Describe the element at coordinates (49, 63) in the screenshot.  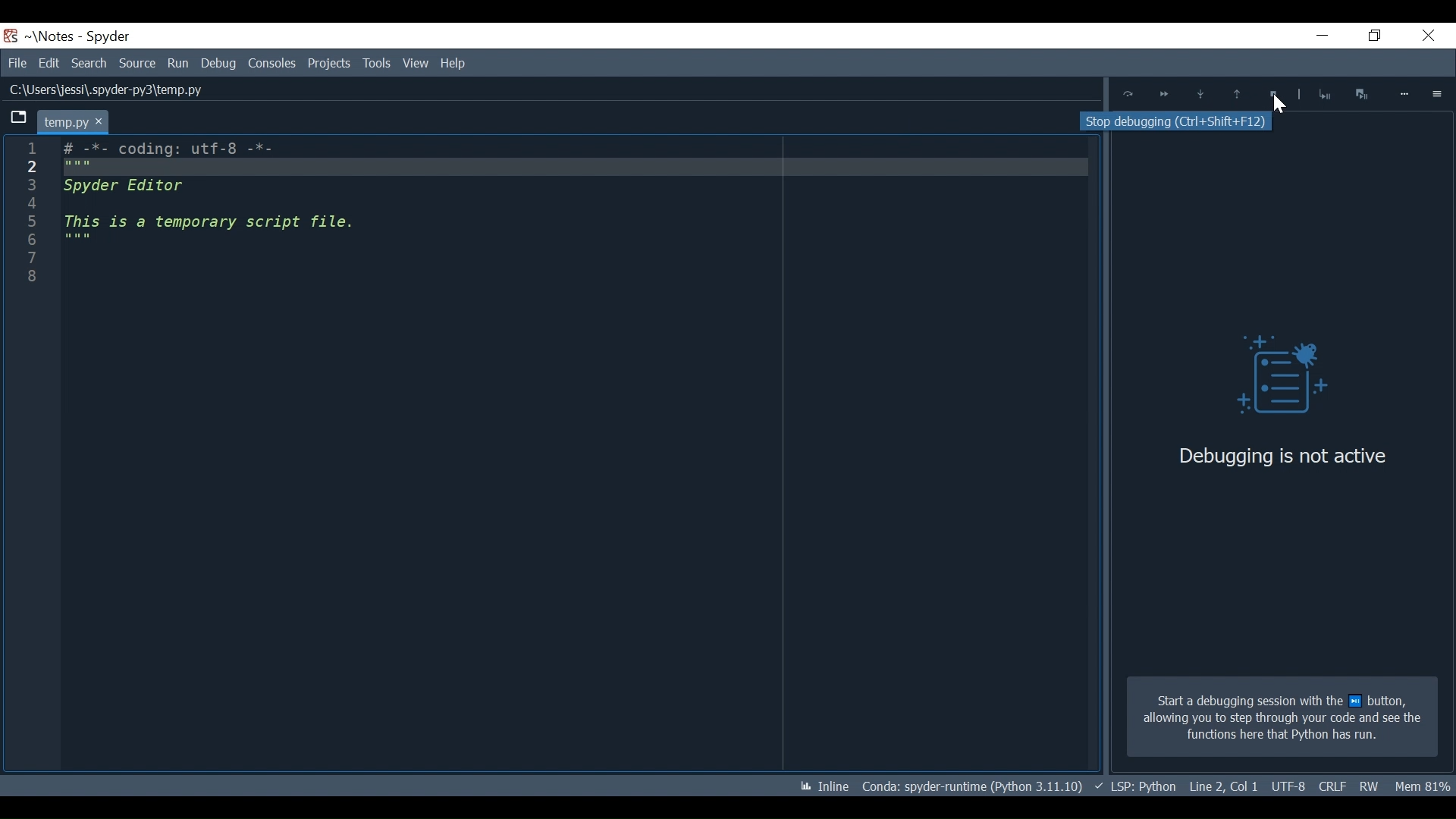
I see `Edit` at that location.